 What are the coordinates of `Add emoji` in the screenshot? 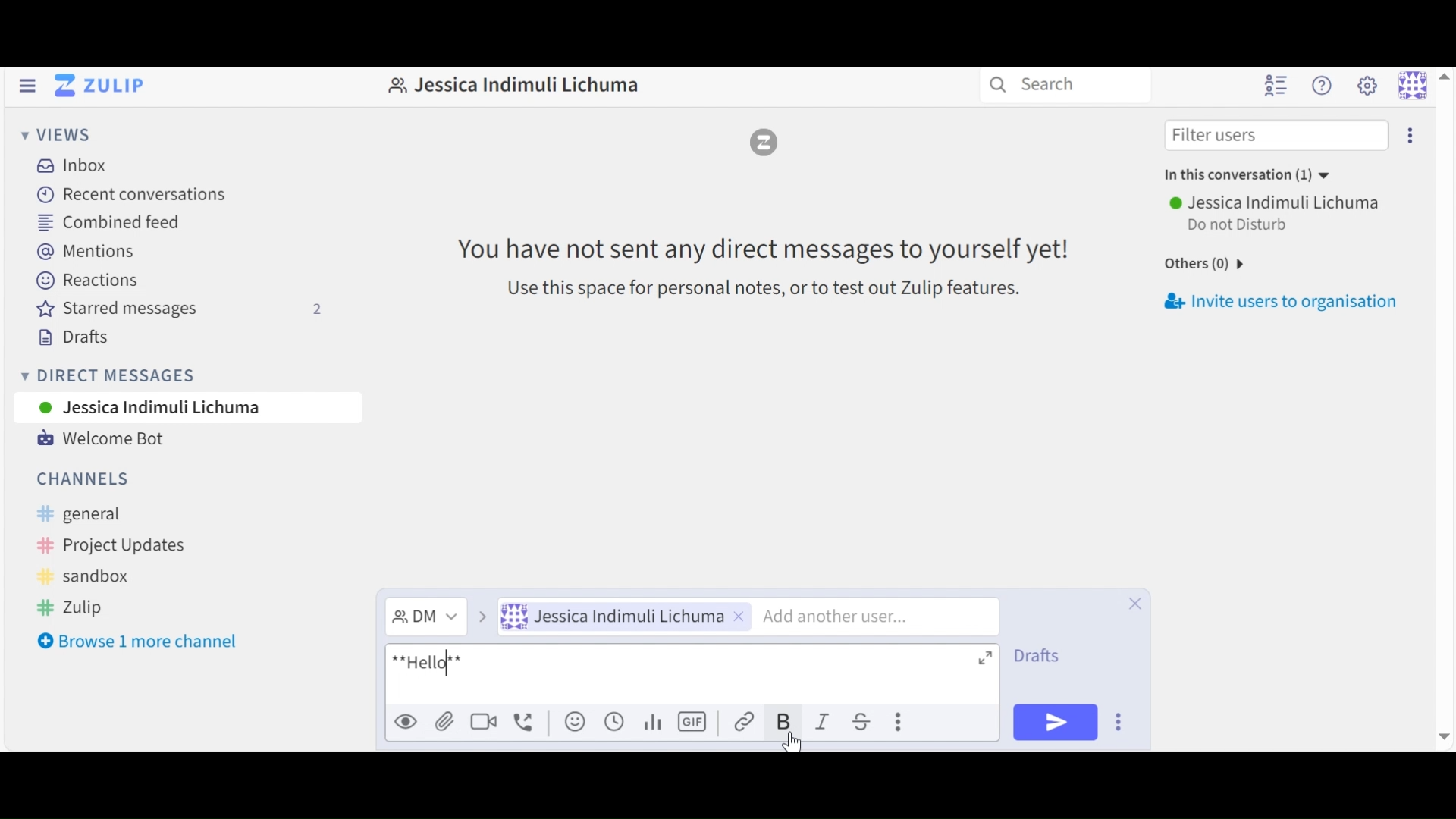 It's located at (573, 721).